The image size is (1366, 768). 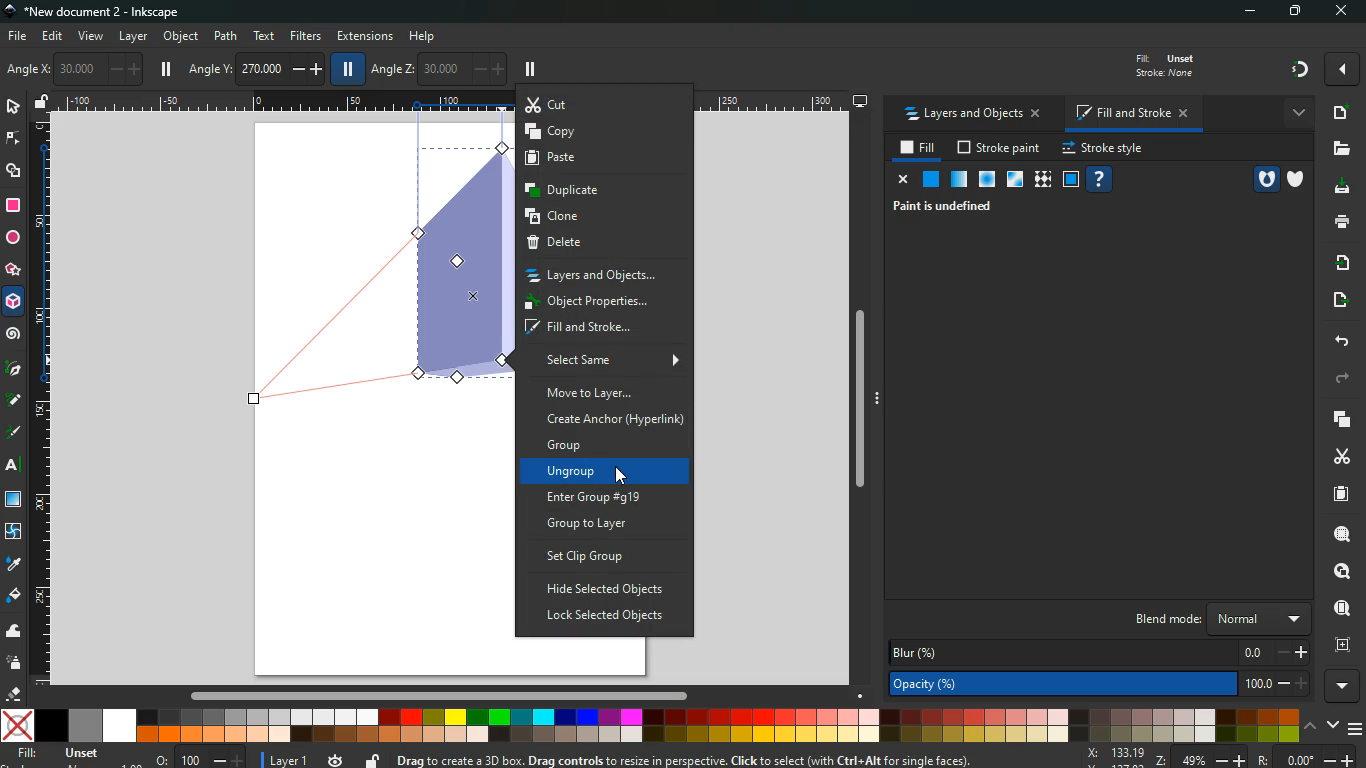 I want to click on Paint is undefined, so click(x=948, y=205).